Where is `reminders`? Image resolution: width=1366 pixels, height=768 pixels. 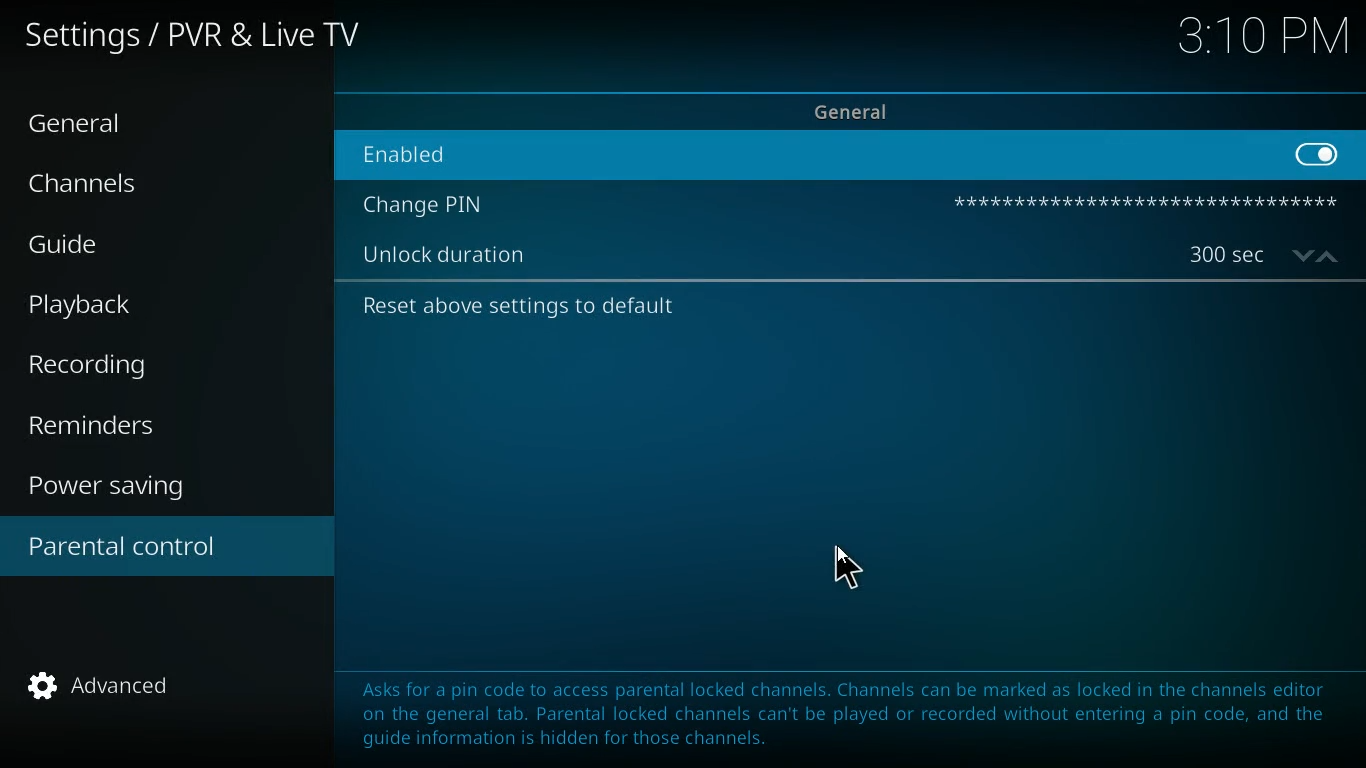
reminders is located at coordinates (101, 427).